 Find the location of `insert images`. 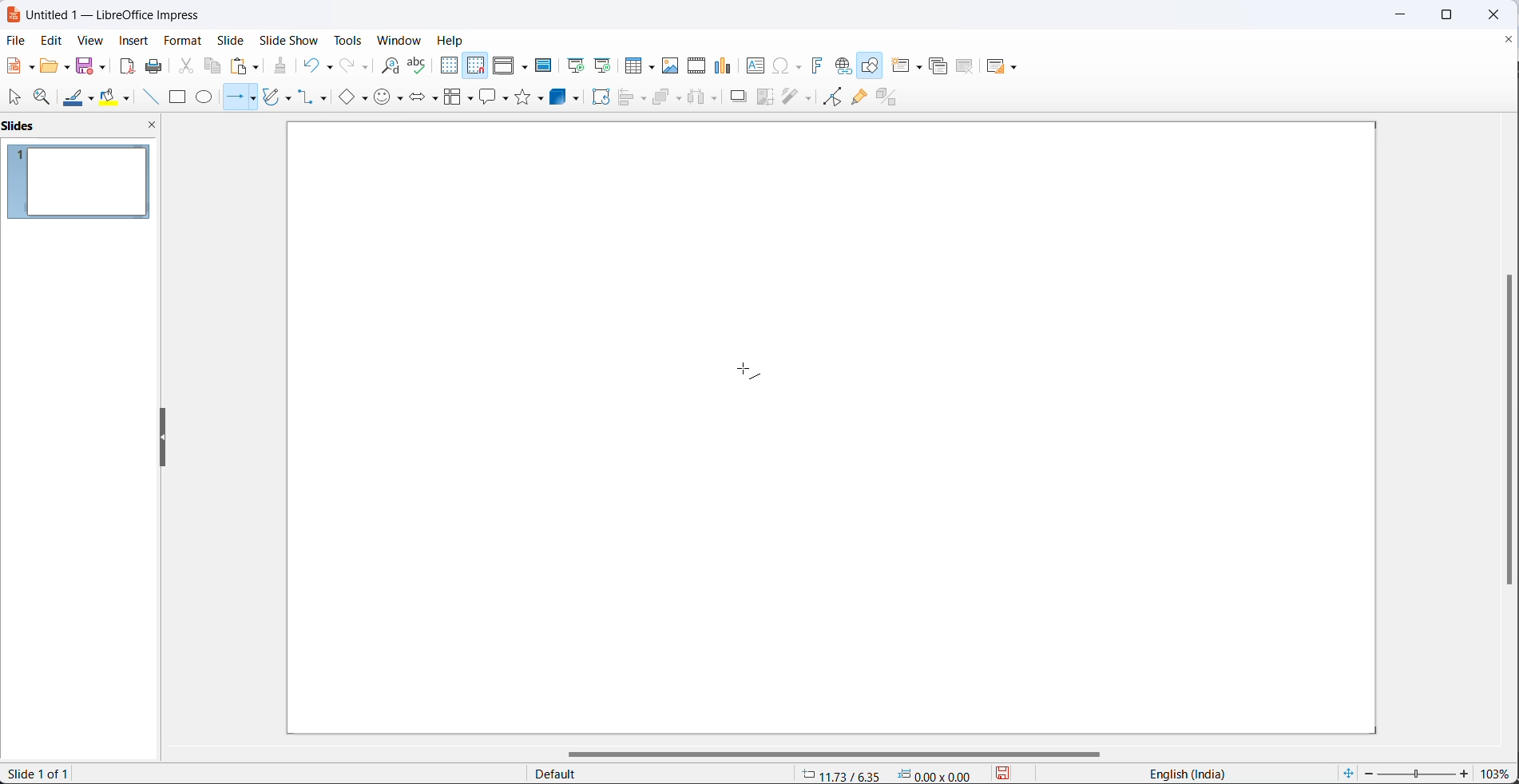

insert images is located at coordinates (672, 66).